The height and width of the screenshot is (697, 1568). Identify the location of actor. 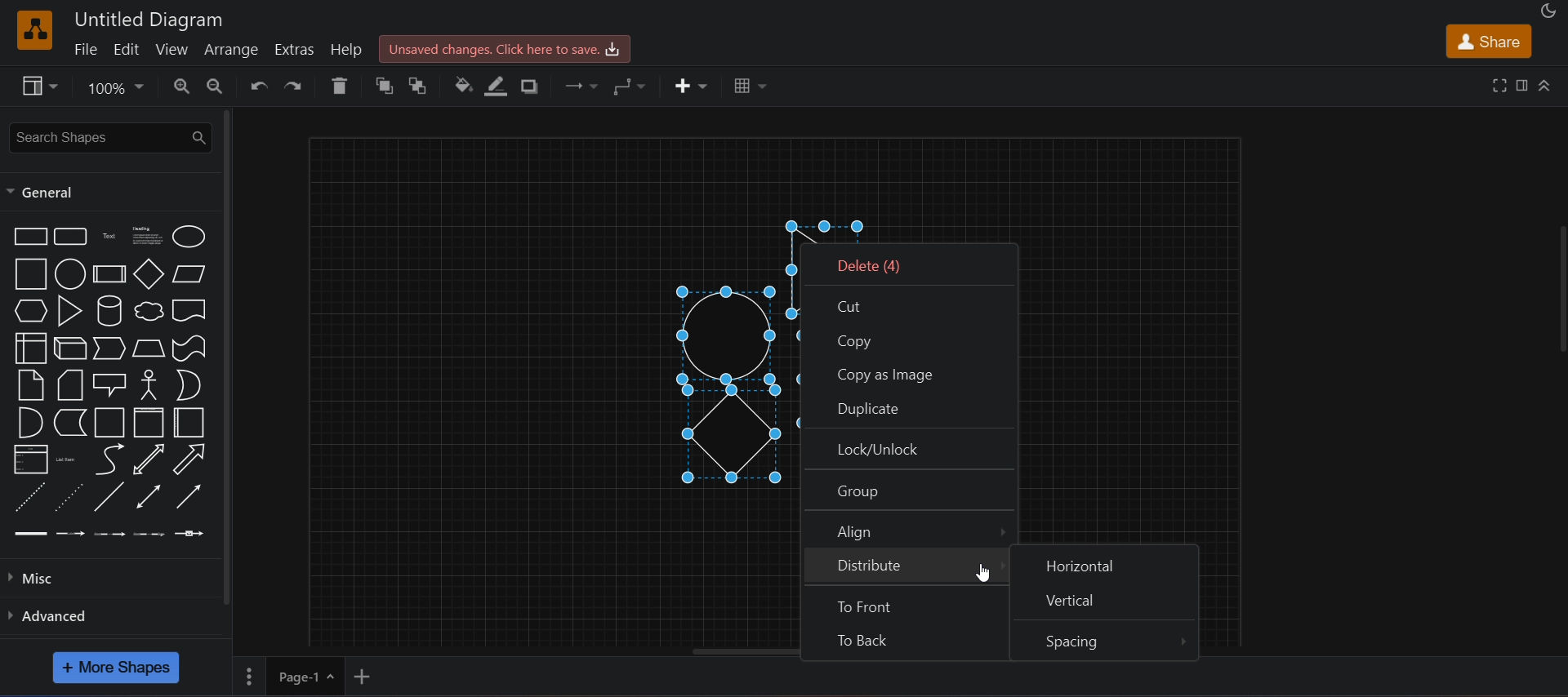
(149, 385).